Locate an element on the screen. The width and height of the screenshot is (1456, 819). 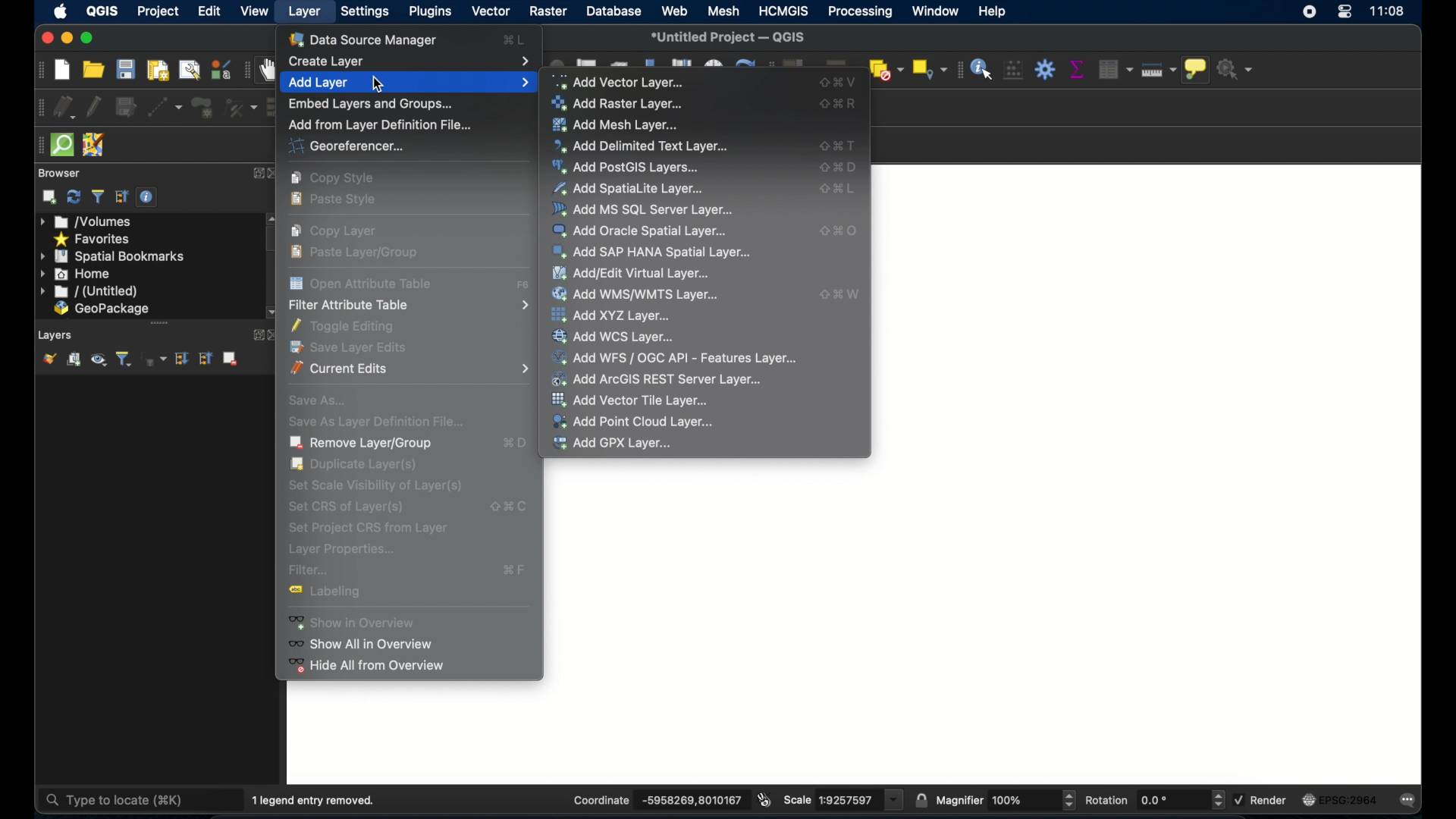
open layer styling panel is located at coordinates (49, 358).